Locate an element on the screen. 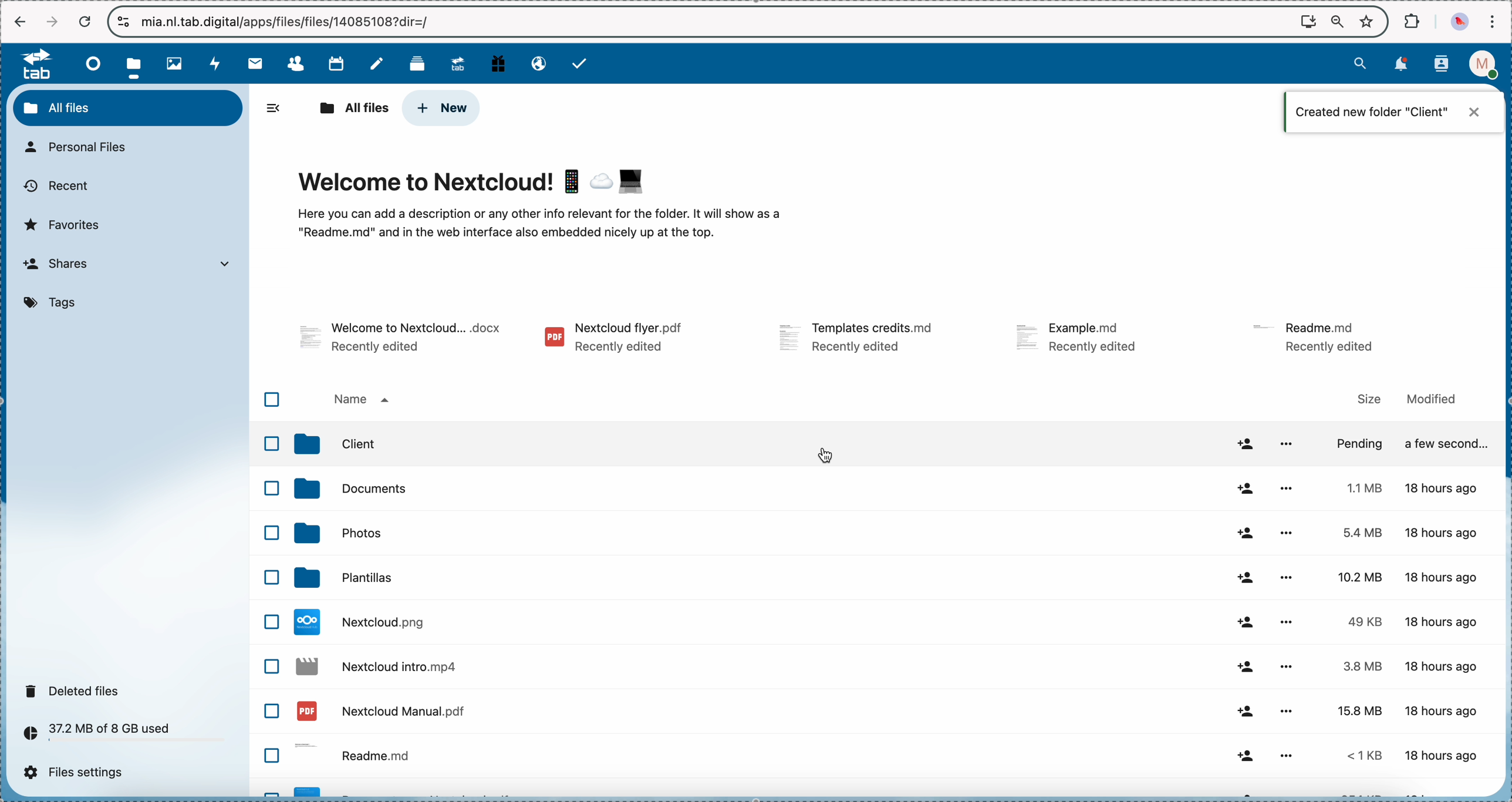 The width and height of the screenshot is (1512, 802). double click on client folder is located at coordinates (833, 457).